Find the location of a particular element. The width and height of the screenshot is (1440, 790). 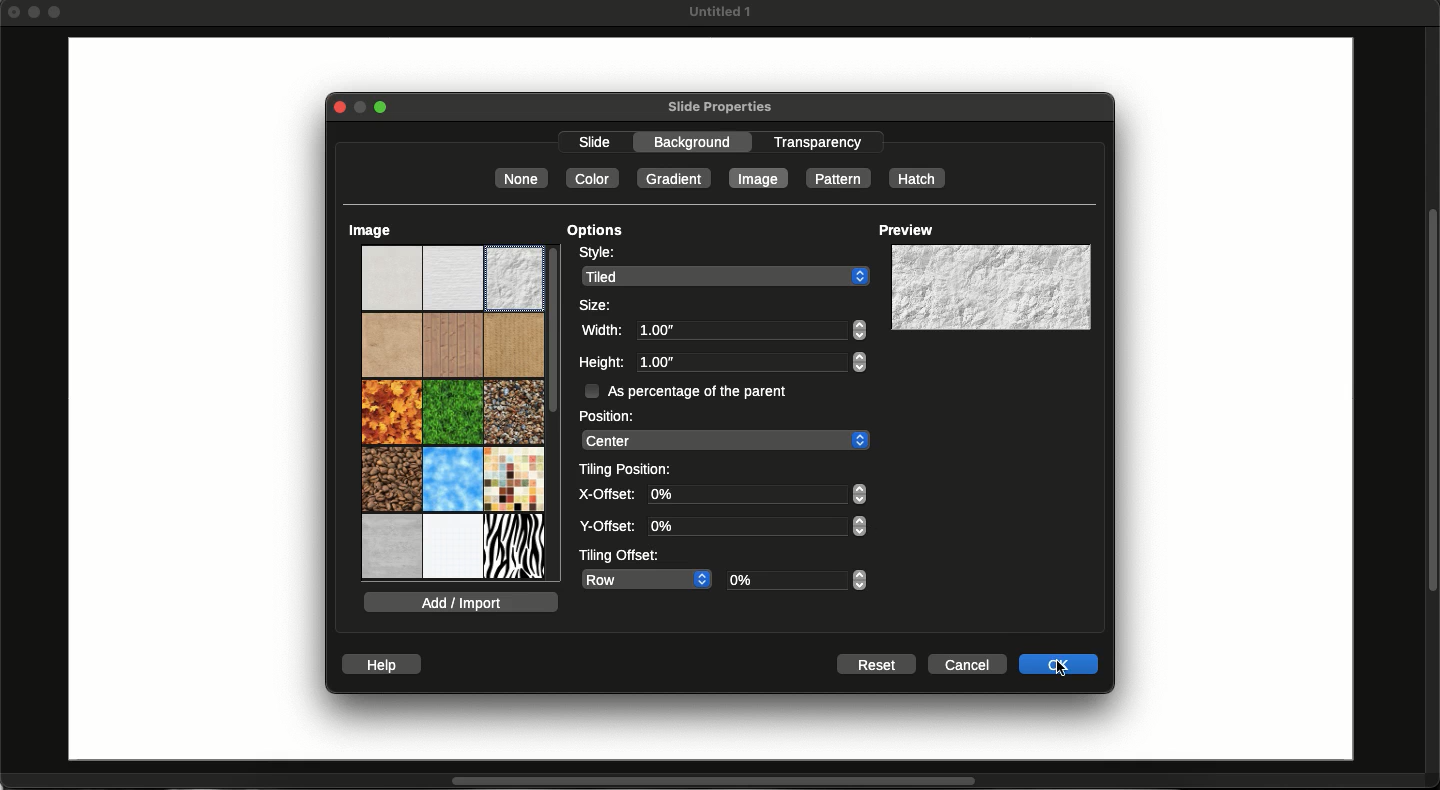

cursor is located at coordinates (1063, 668).